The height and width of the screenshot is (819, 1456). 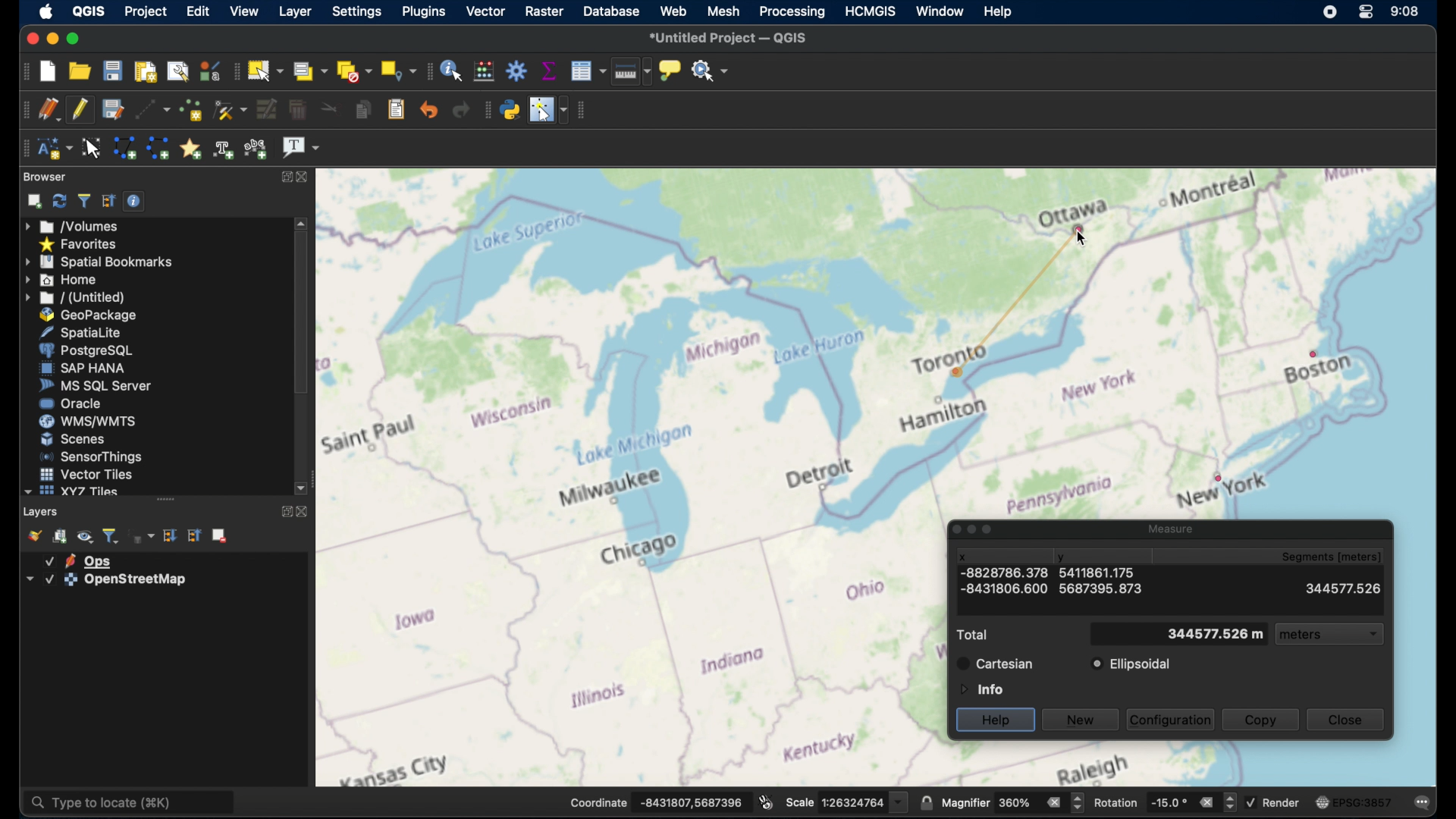 I want to click on selection toolbar, so click(x=237, y=70).